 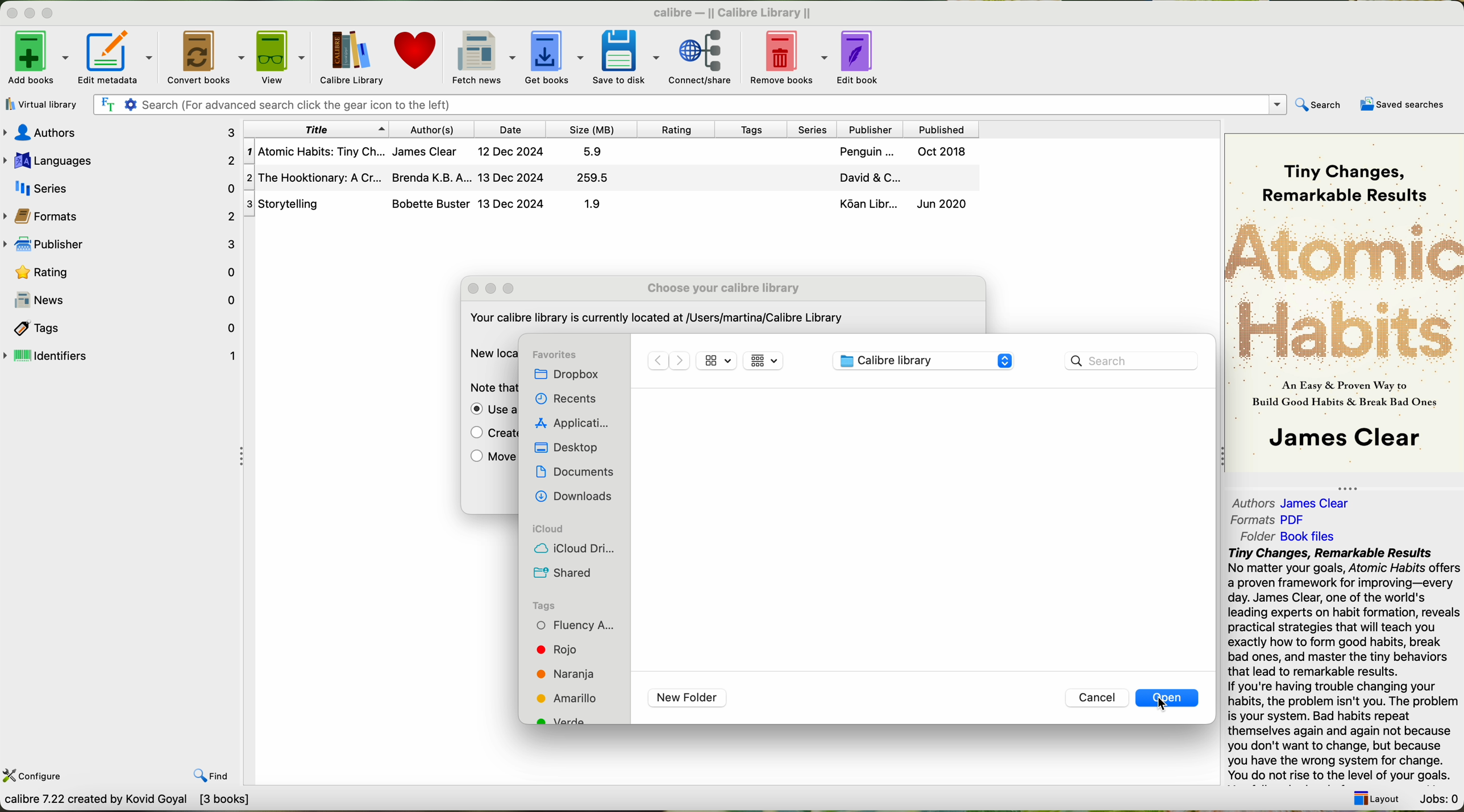 What do you see at coordinates (505, 434) in the screenshot?
I see `create an empty library at the new location` at bounding box center [505, 434].